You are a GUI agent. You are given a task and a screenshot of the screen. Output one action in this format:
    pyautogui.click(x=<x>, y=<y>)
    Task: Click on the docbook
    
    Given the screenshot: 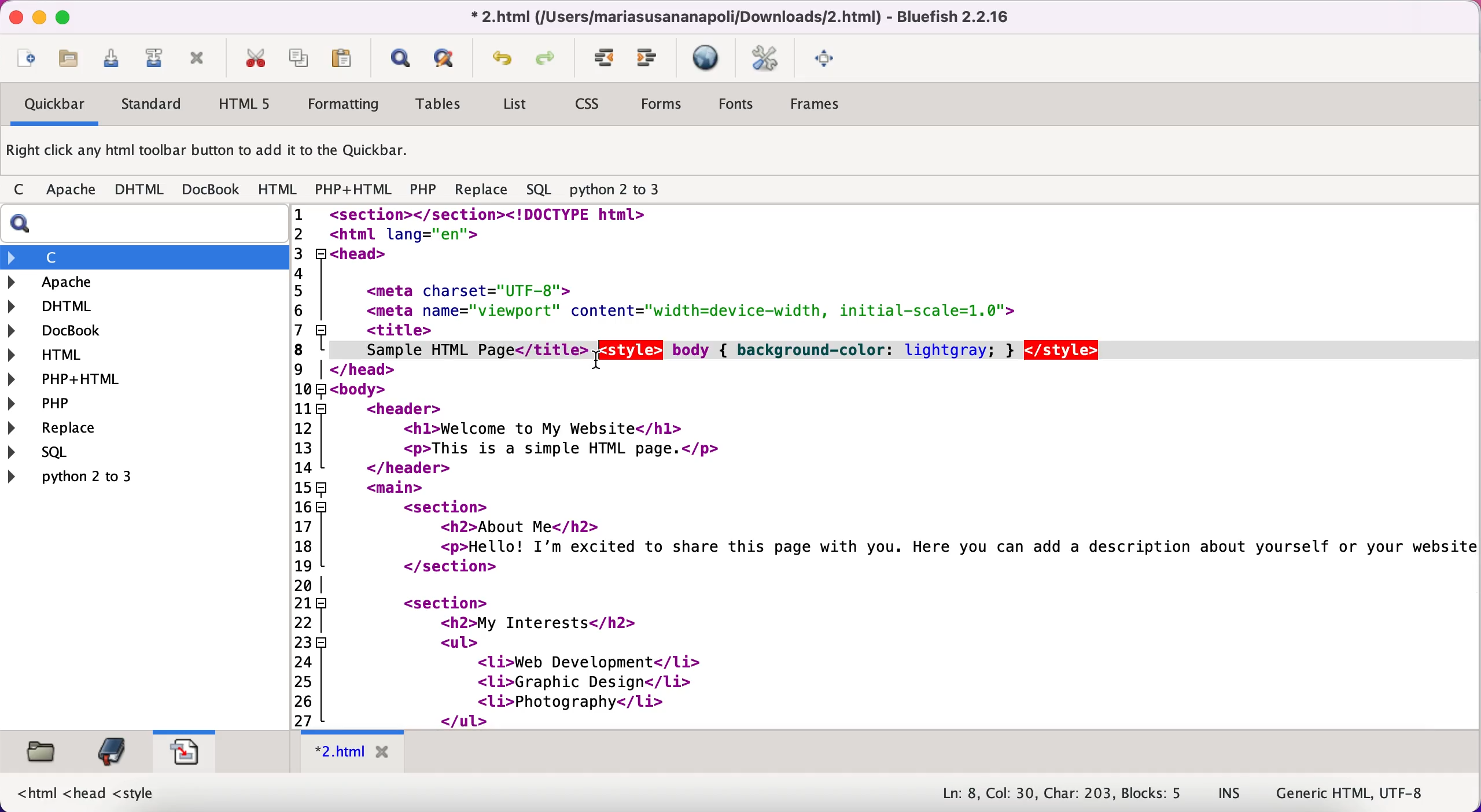 What is the action you would take?
    pyautogui.click(x=64, y=332)
    